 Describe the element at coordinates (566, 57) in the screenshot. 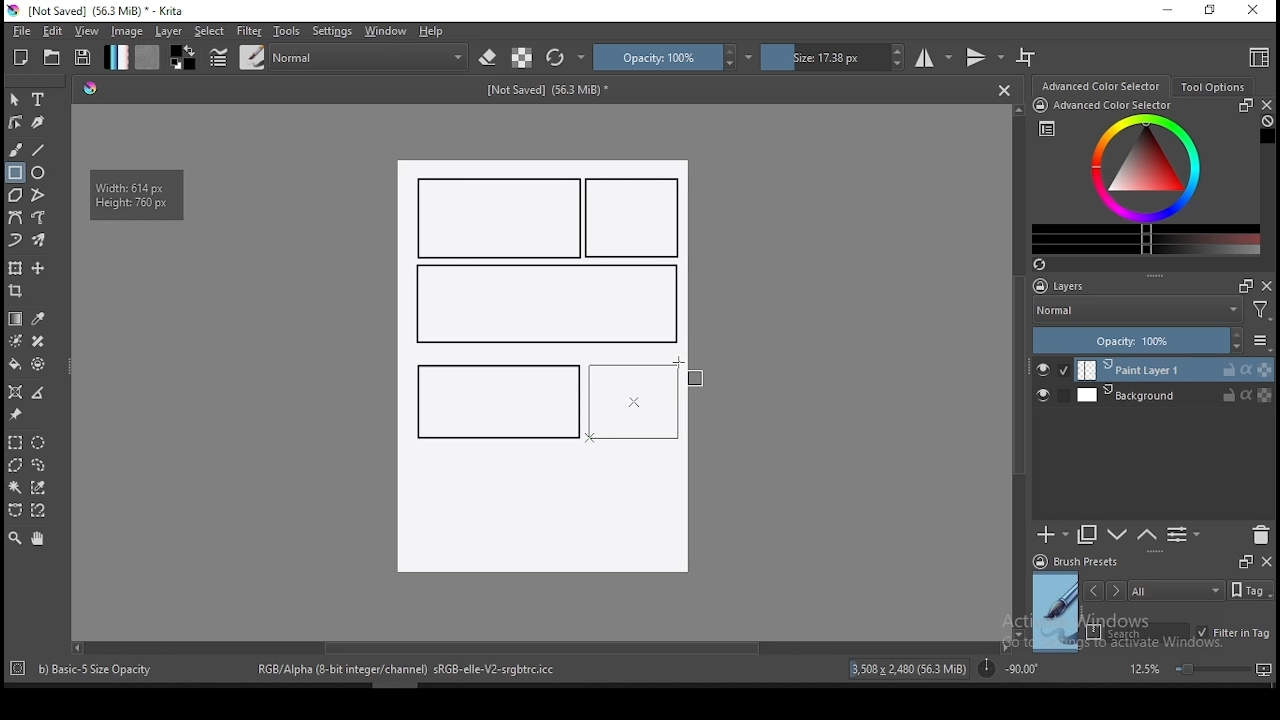

I see `reload original preset` at that location.